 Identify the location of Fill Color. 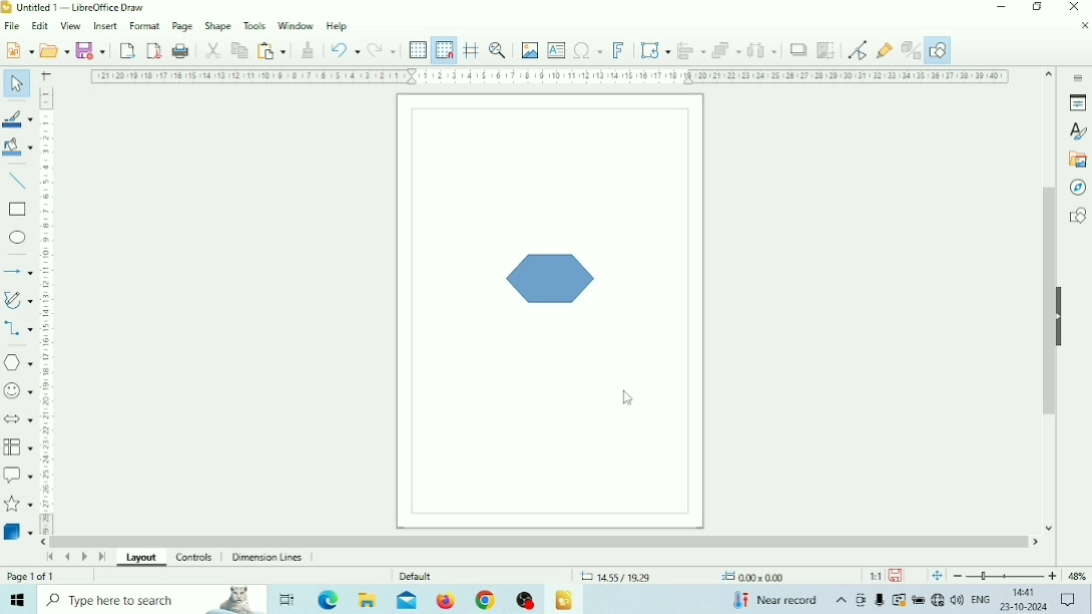
(17, 146).